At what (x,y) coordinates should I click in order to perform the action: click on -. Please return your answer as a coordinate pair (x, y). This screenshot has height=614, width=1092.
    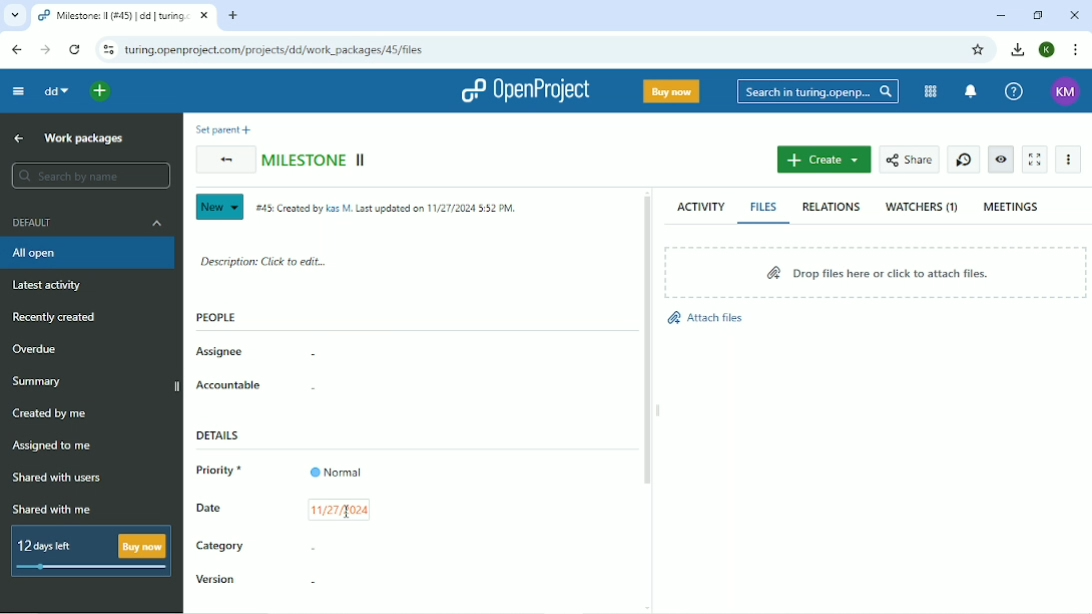
    Looking at the image, I should click on (308, 390).